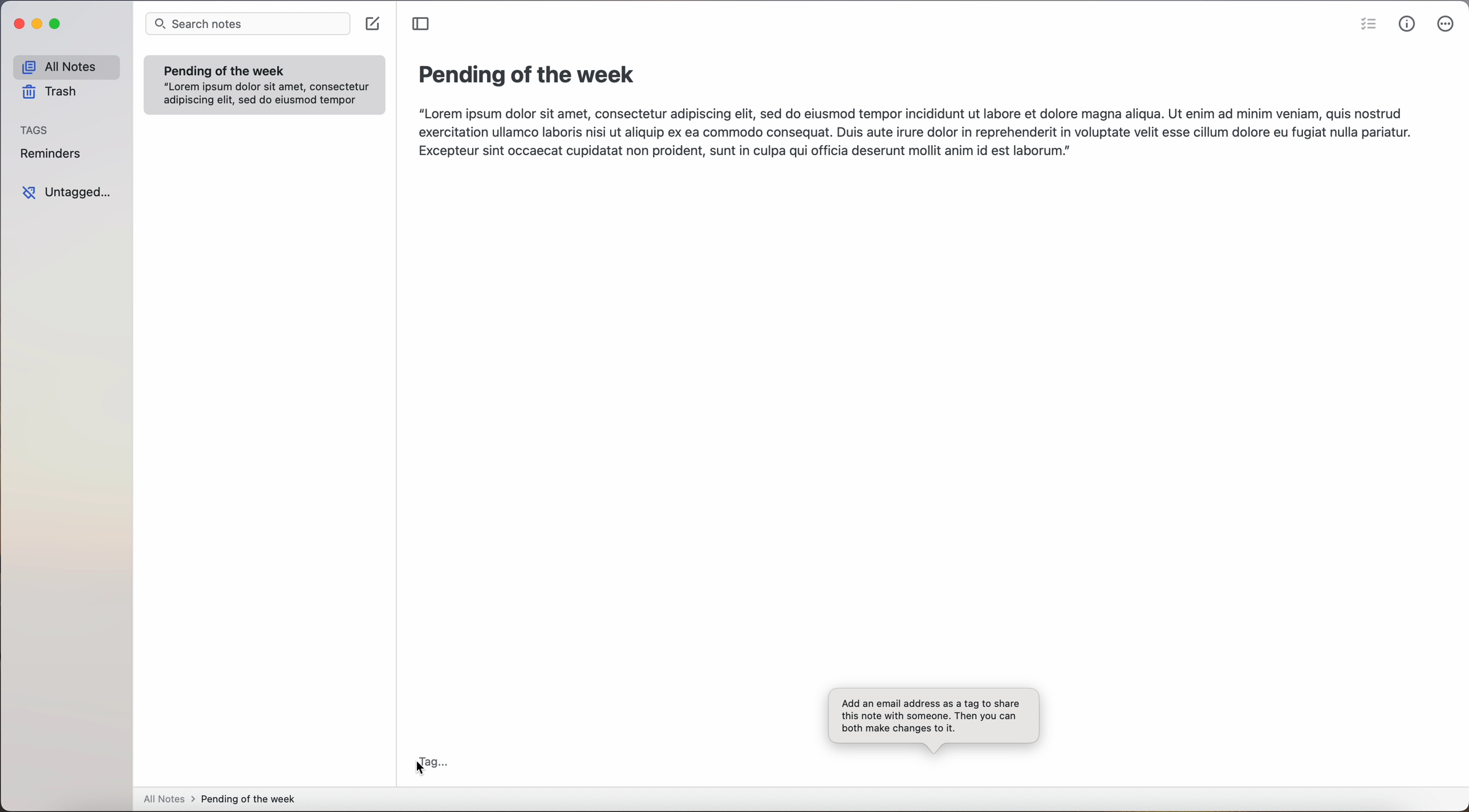  What do you see at coordinates (52, 94) in the screenshot?
I see `trash` at bounding box center [52, 94].